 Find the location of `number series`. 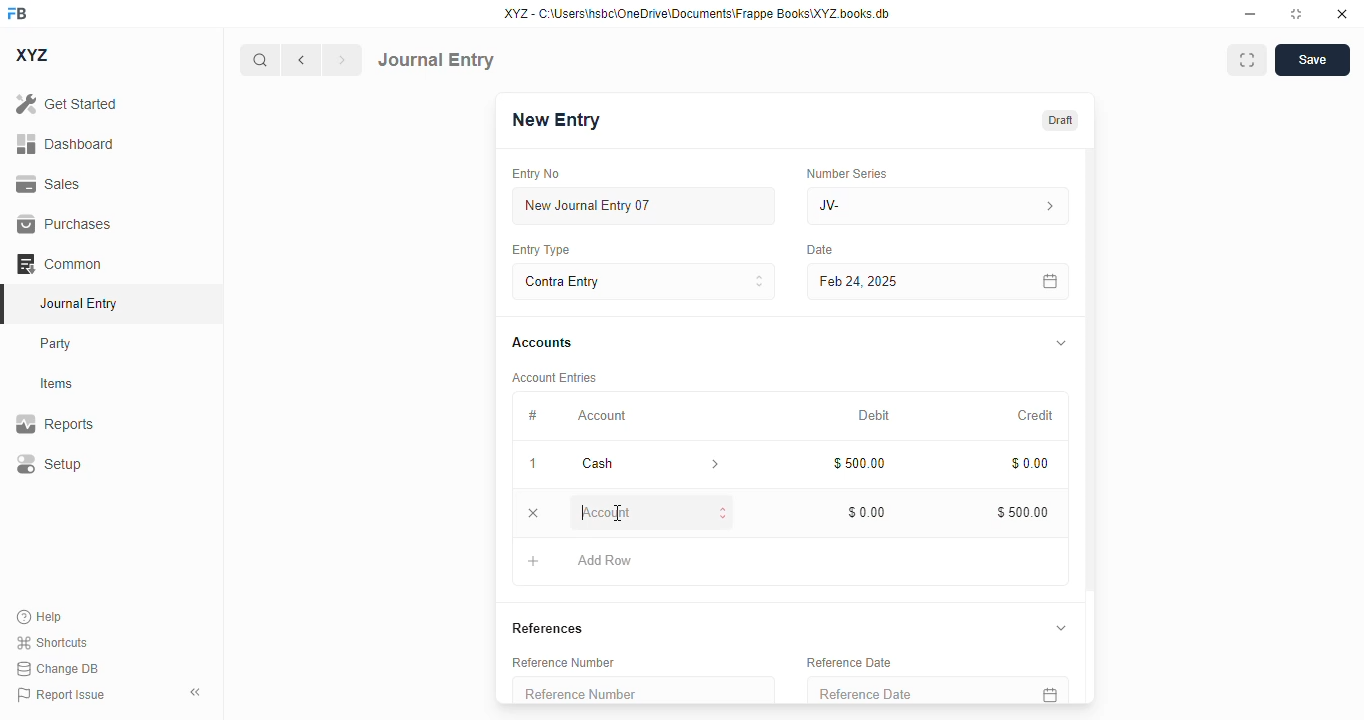

number series is located at coordinates (849, 173).